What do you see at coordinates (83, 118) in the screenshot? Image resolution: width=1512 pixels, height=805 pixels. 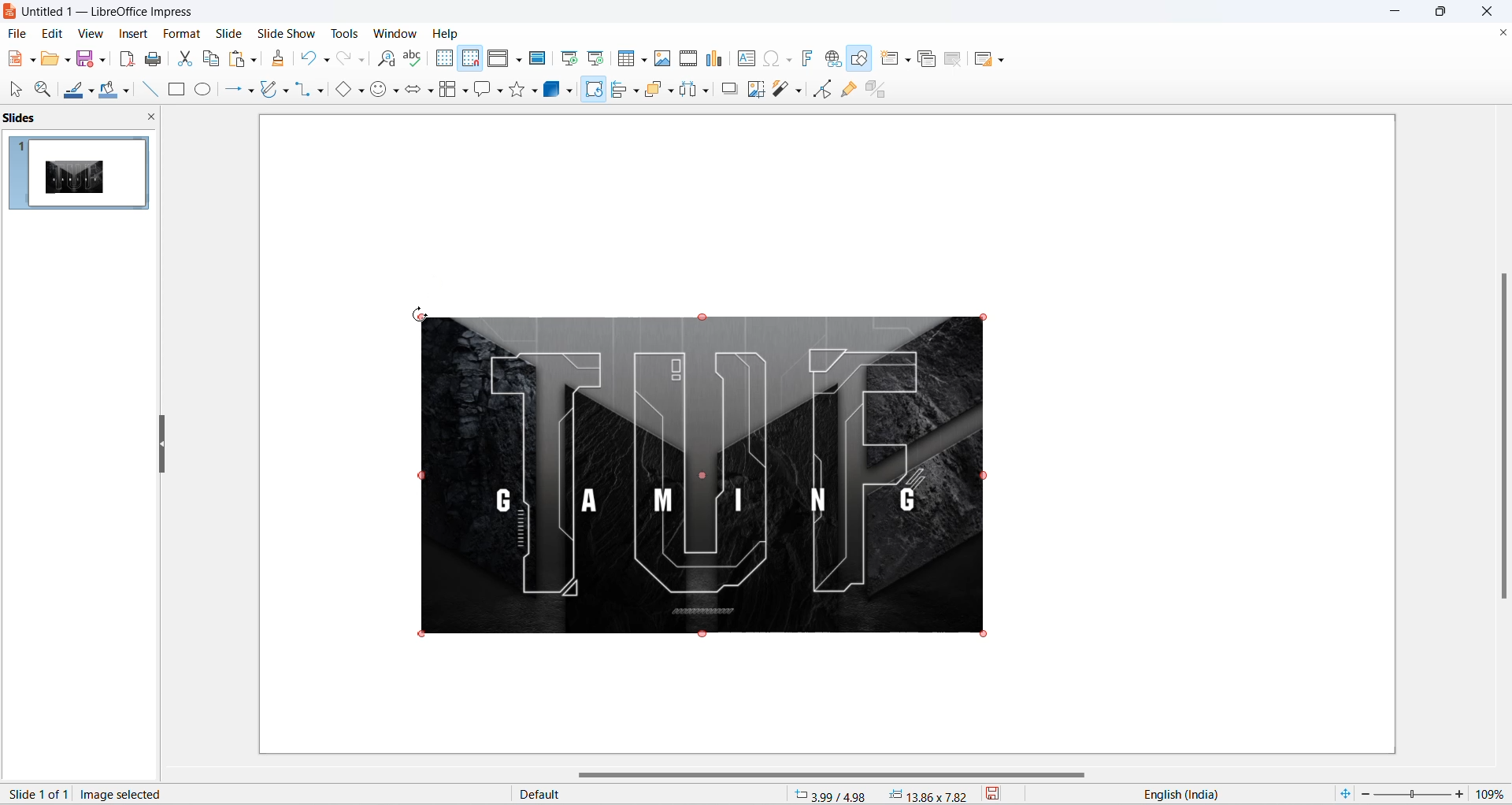 I see `slides and close slide` at bounding box center [83, 118].